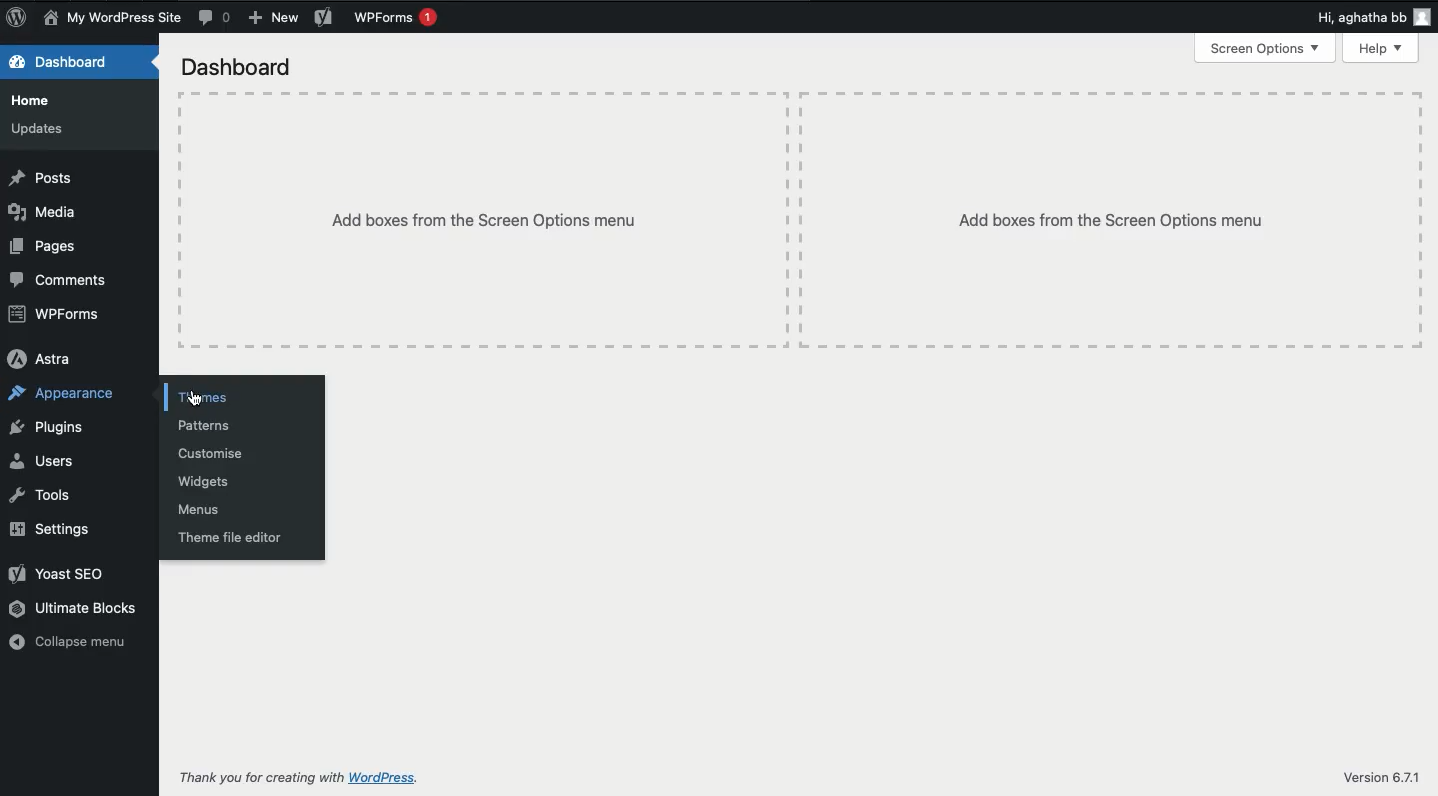  I want to click on Yoast, so click(320, 18).